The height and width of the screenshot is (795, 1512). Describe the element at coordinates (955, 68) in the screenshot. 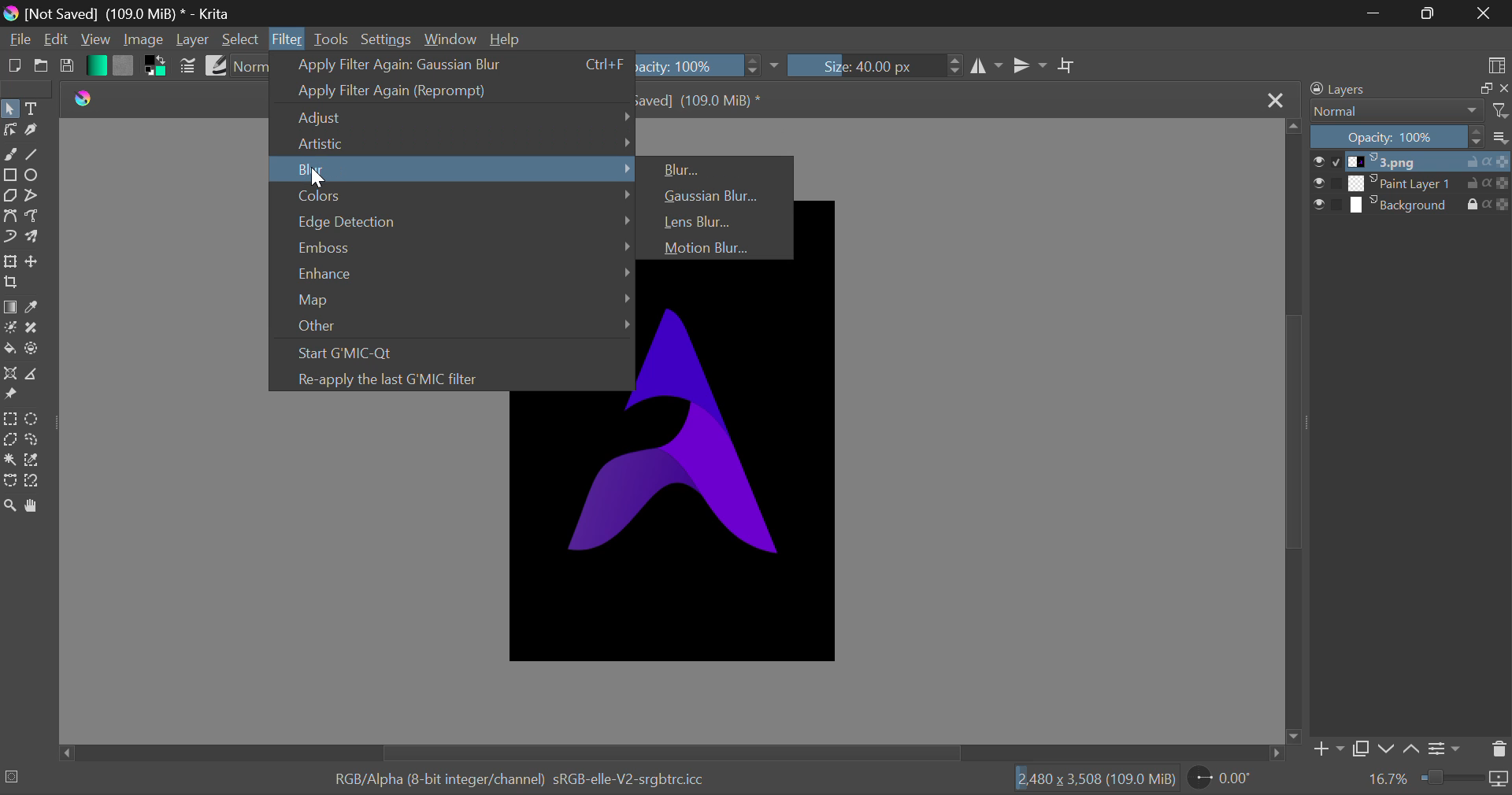

I see `increase or decrease Brush Size` at that location.